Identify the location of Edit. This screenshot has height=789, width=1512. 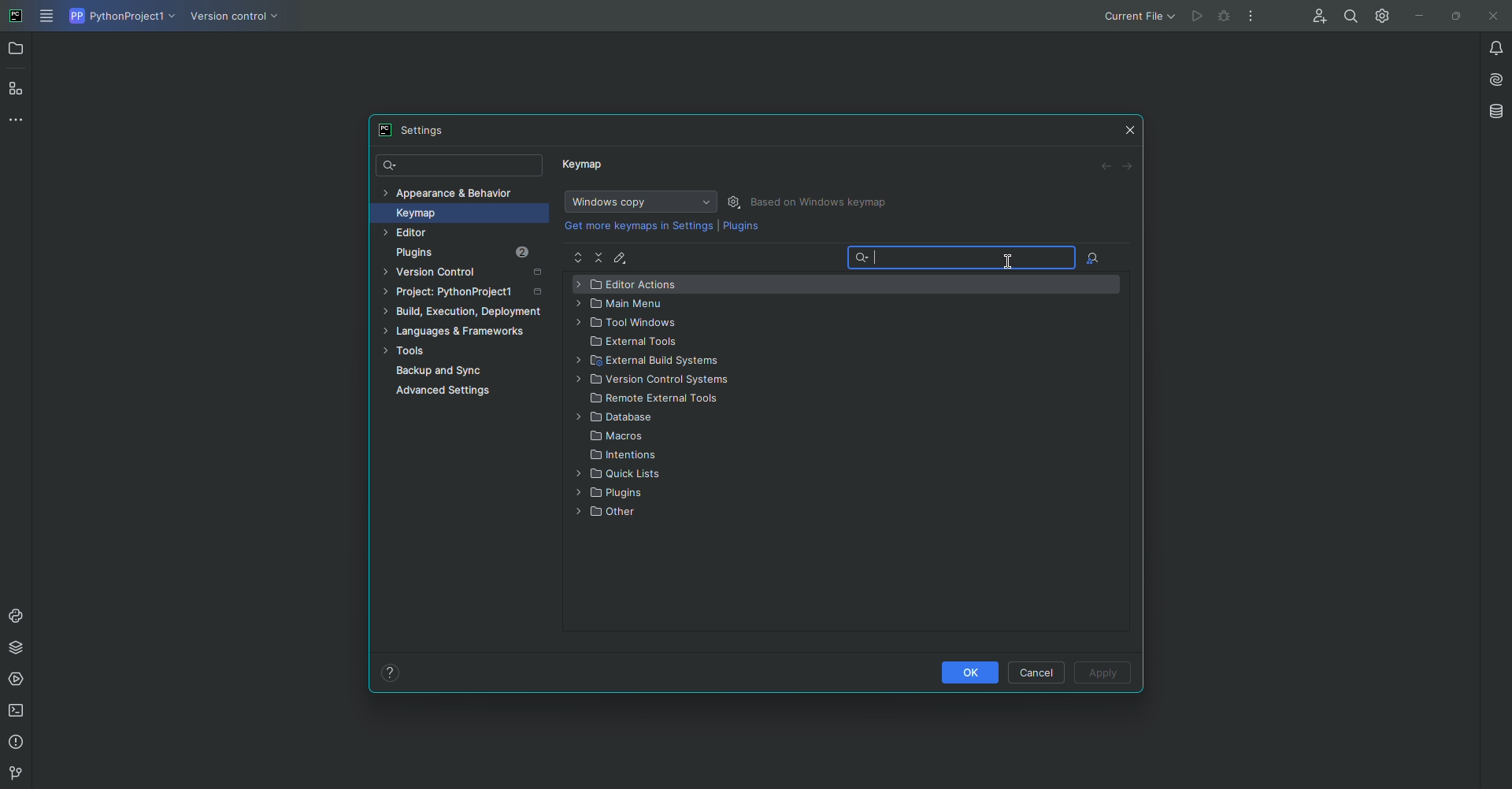
(623, 257).